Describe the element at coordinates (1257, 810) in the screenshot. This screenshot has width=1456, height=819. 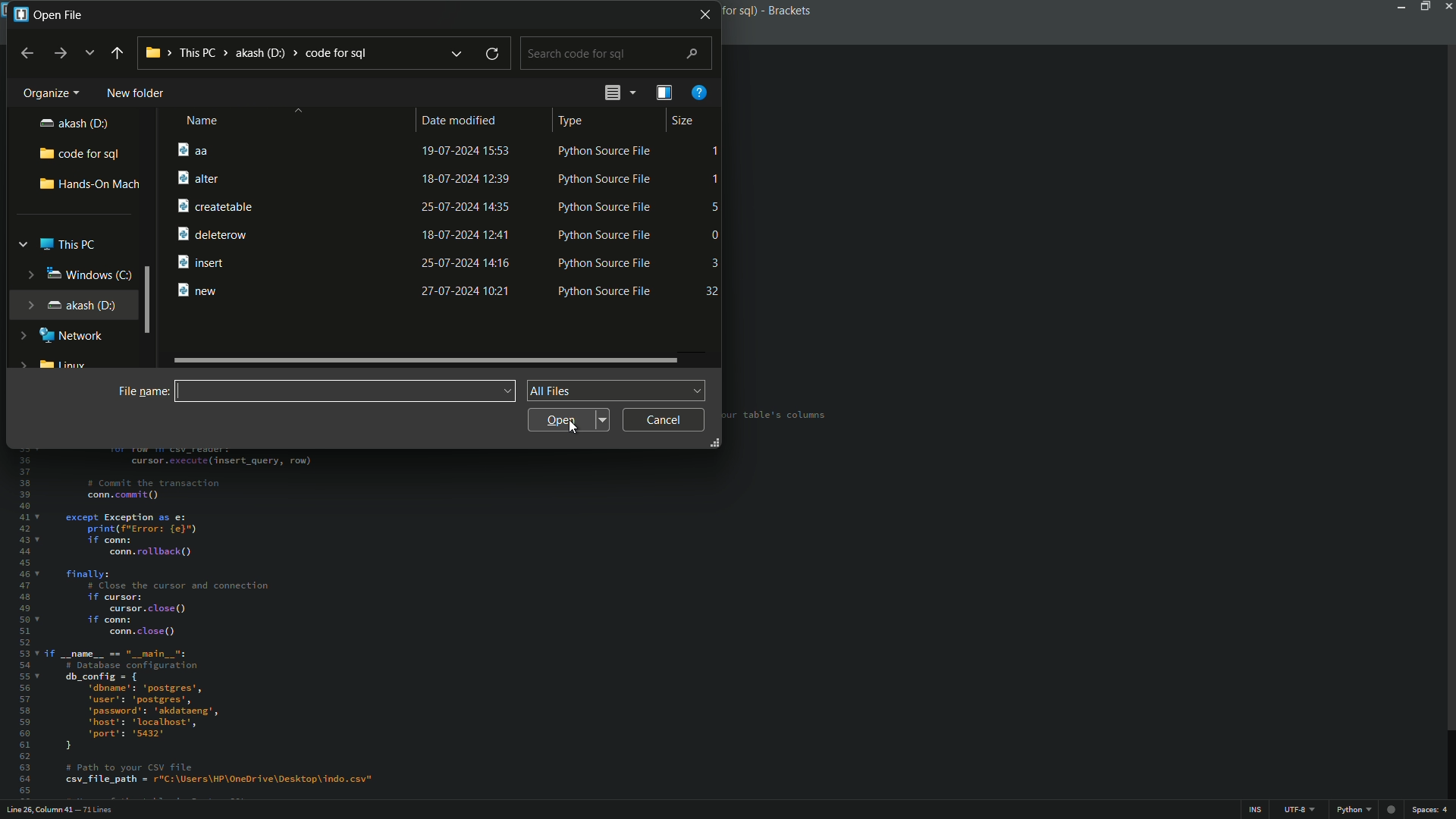
I see `ins` at that location.